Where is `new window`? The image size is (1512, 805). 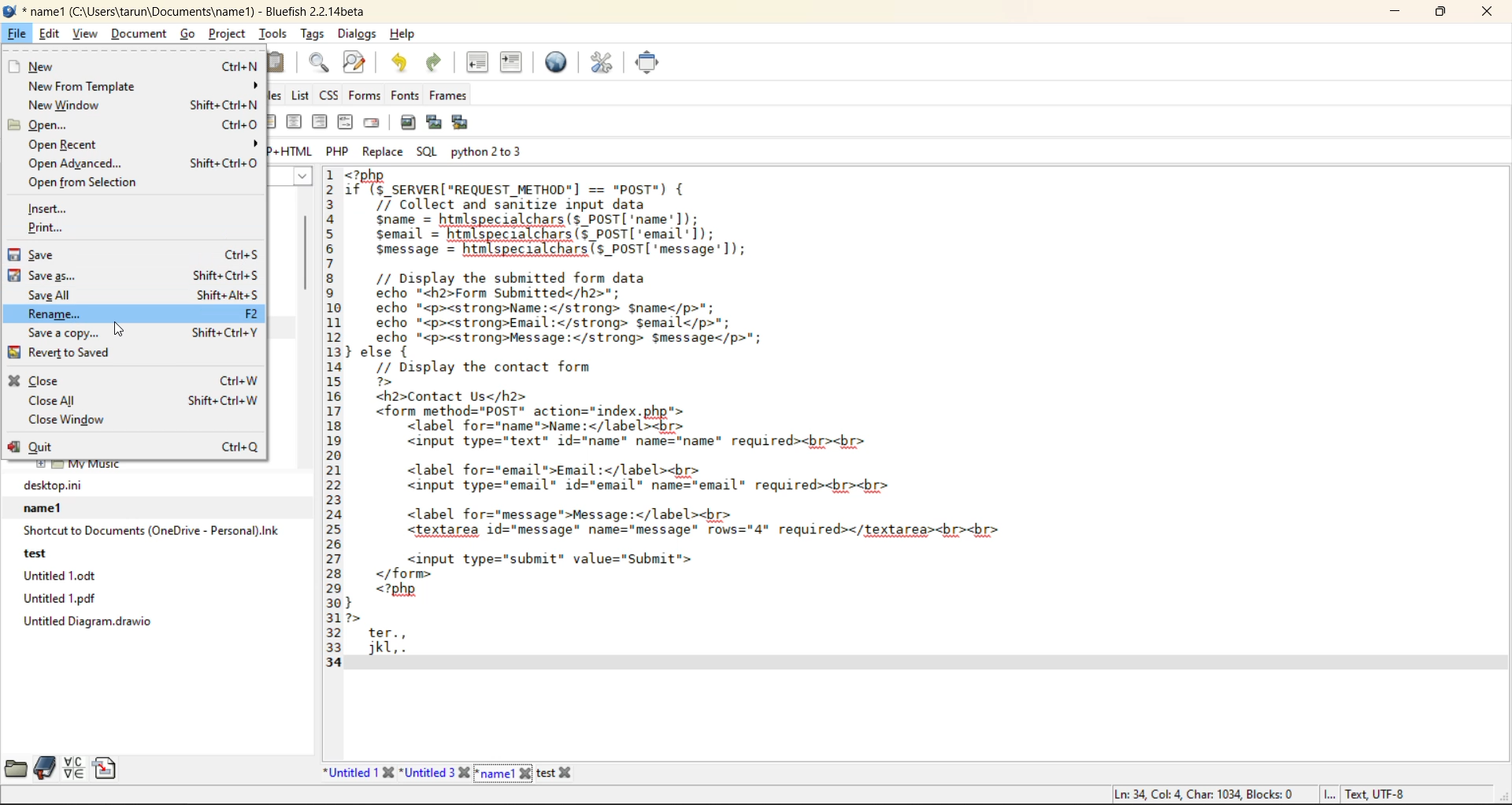 new window is located at coordinates (141, 106).